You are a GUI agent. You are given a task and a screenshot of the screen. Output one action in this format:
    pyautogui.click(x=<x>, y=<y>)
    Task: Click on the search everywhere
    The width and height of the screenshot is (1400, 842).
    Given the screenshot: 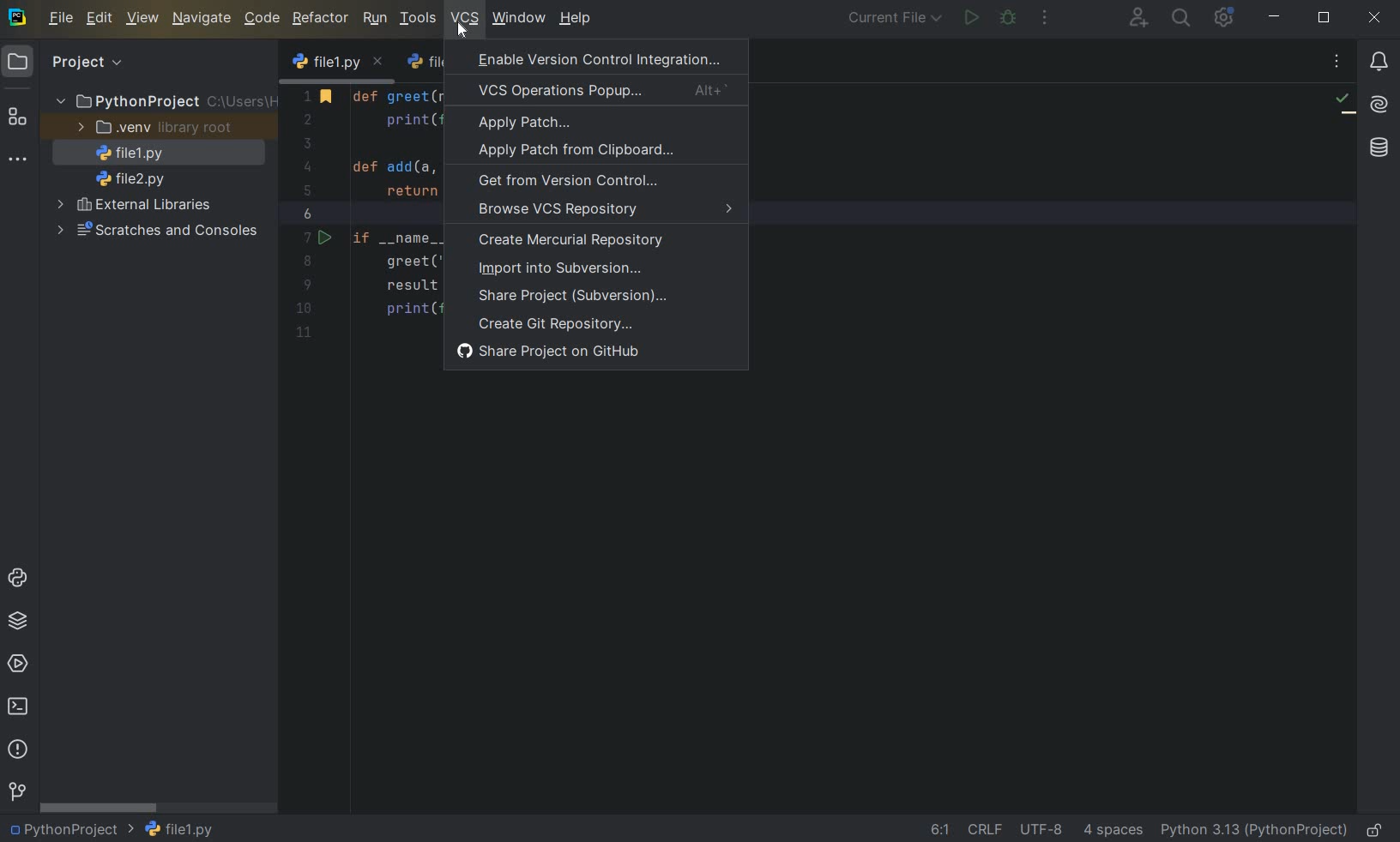 What is the action you would take?
    pyautogui.click(x=1182, y=17)
    